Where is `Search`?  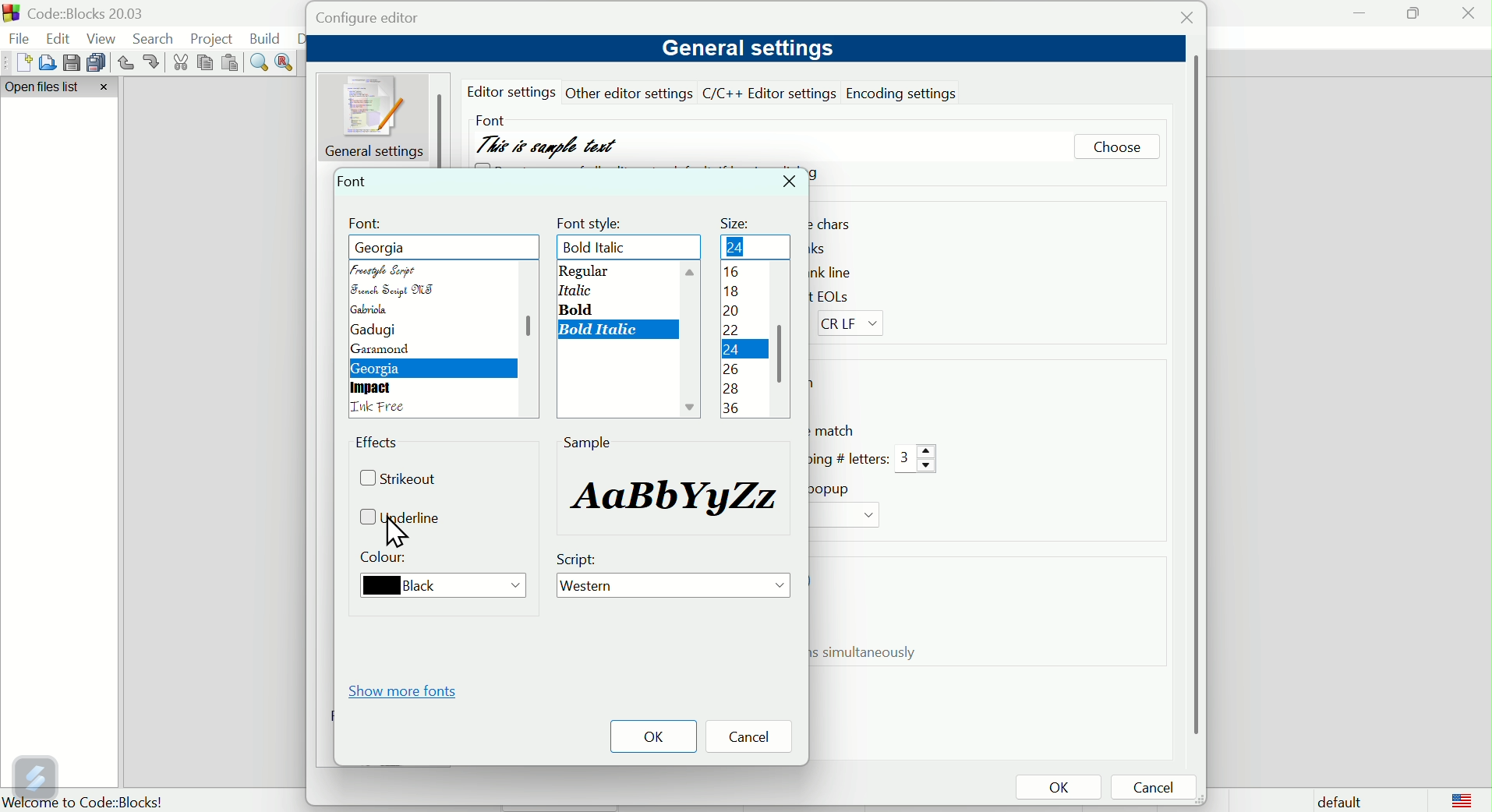 Search is located at coordinates (157, 39).